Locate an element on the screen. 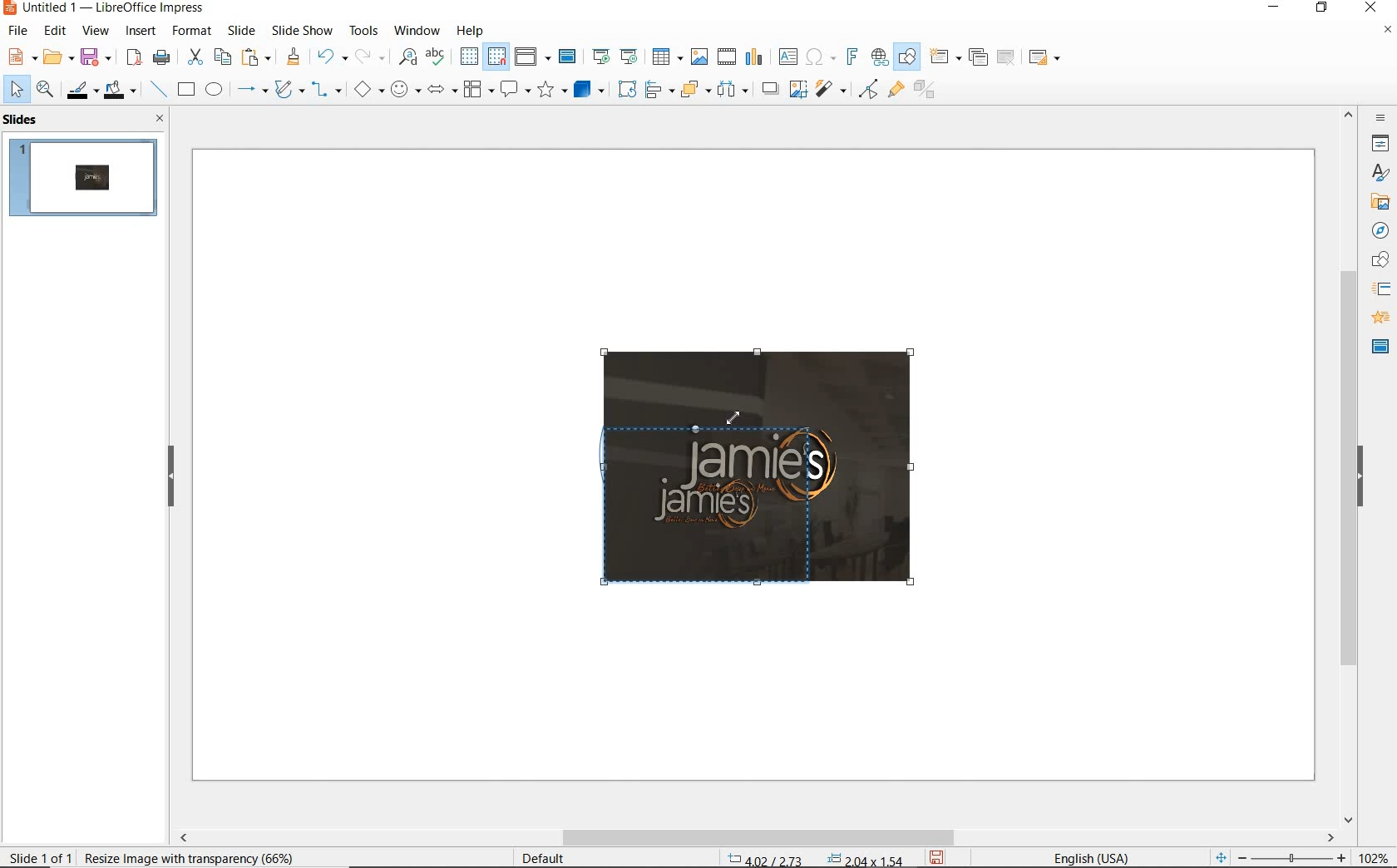  cut is located at coordinates (193, 57).